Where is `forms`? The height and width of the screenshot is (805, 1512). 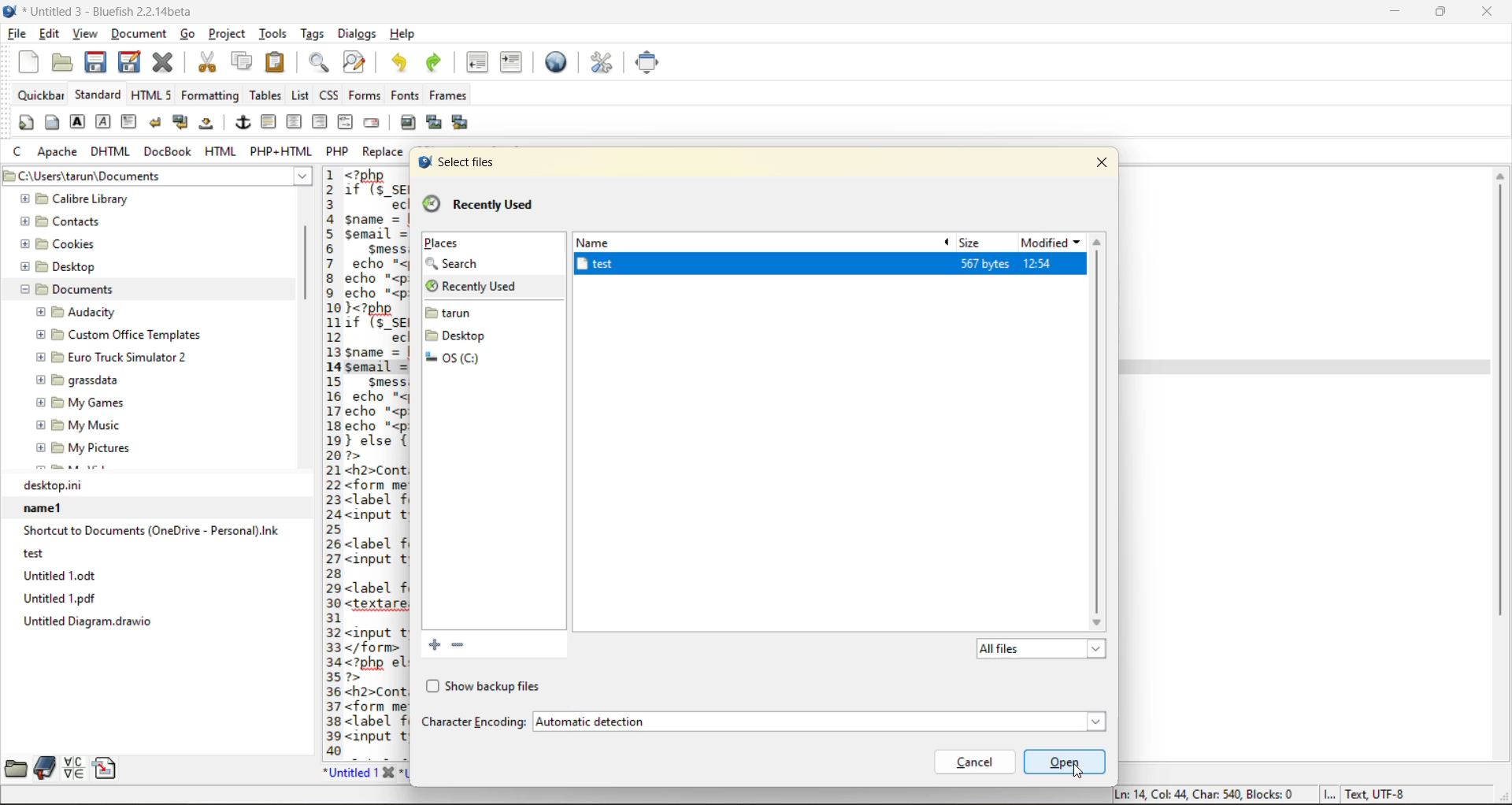
forms is located at coordinates (362, 95).